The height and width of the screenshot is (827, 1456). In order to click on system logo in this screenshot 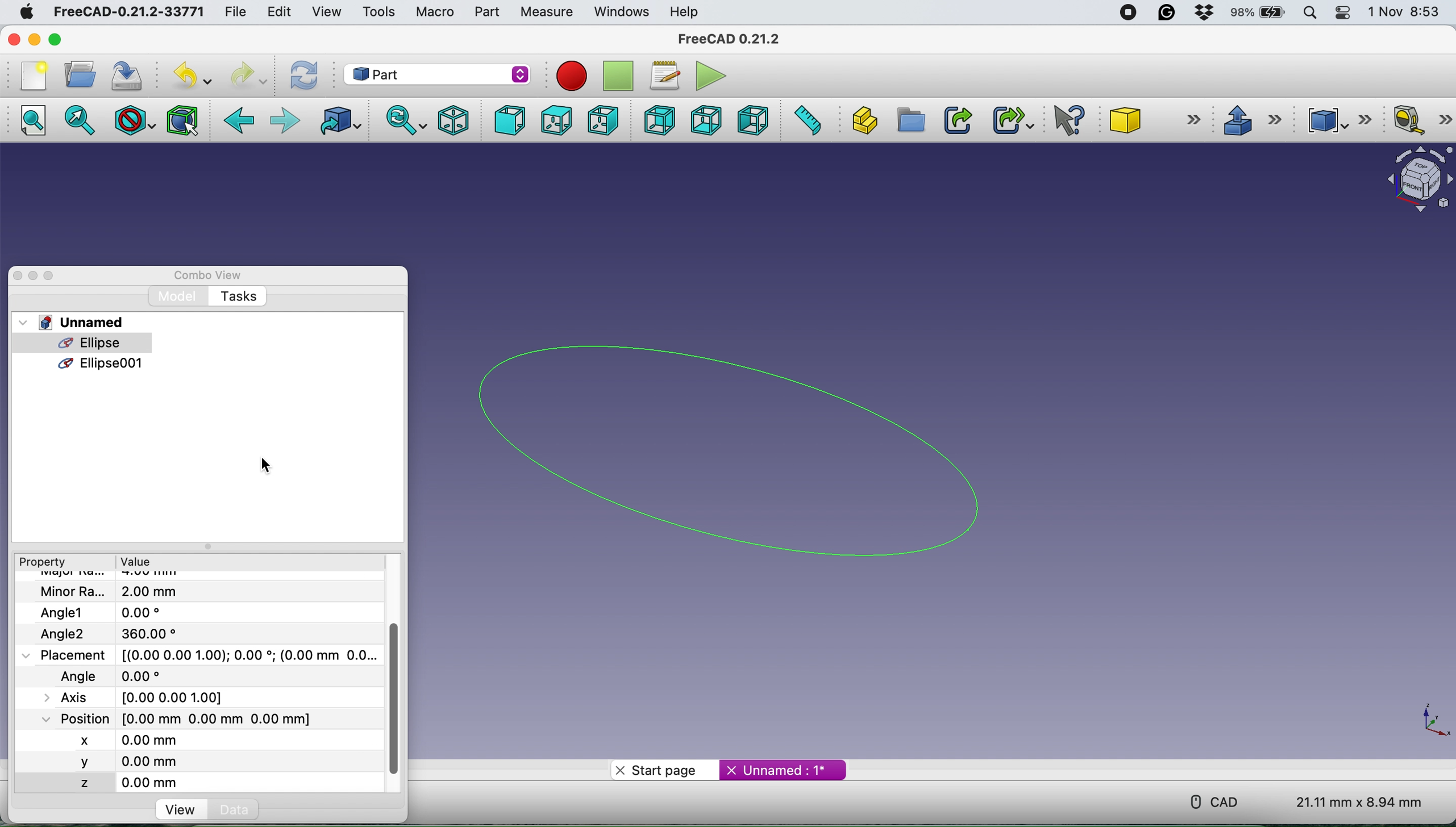, I will do `click(28, 12)`.